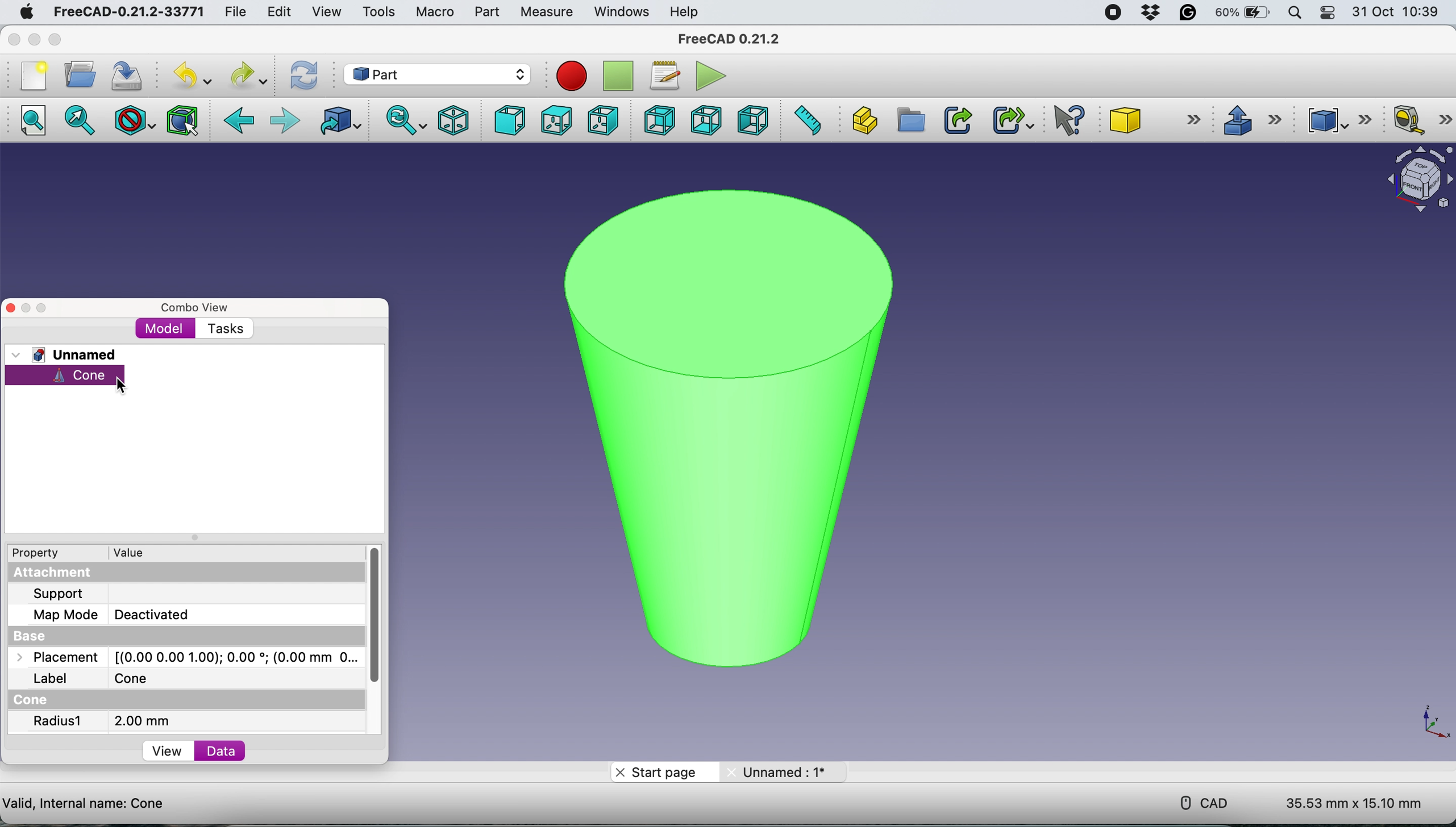 The image size is (1456, 827). What do you see at coordinates (755, 120) in the screenshot?
I see `left` at bounding box center [755, 120].